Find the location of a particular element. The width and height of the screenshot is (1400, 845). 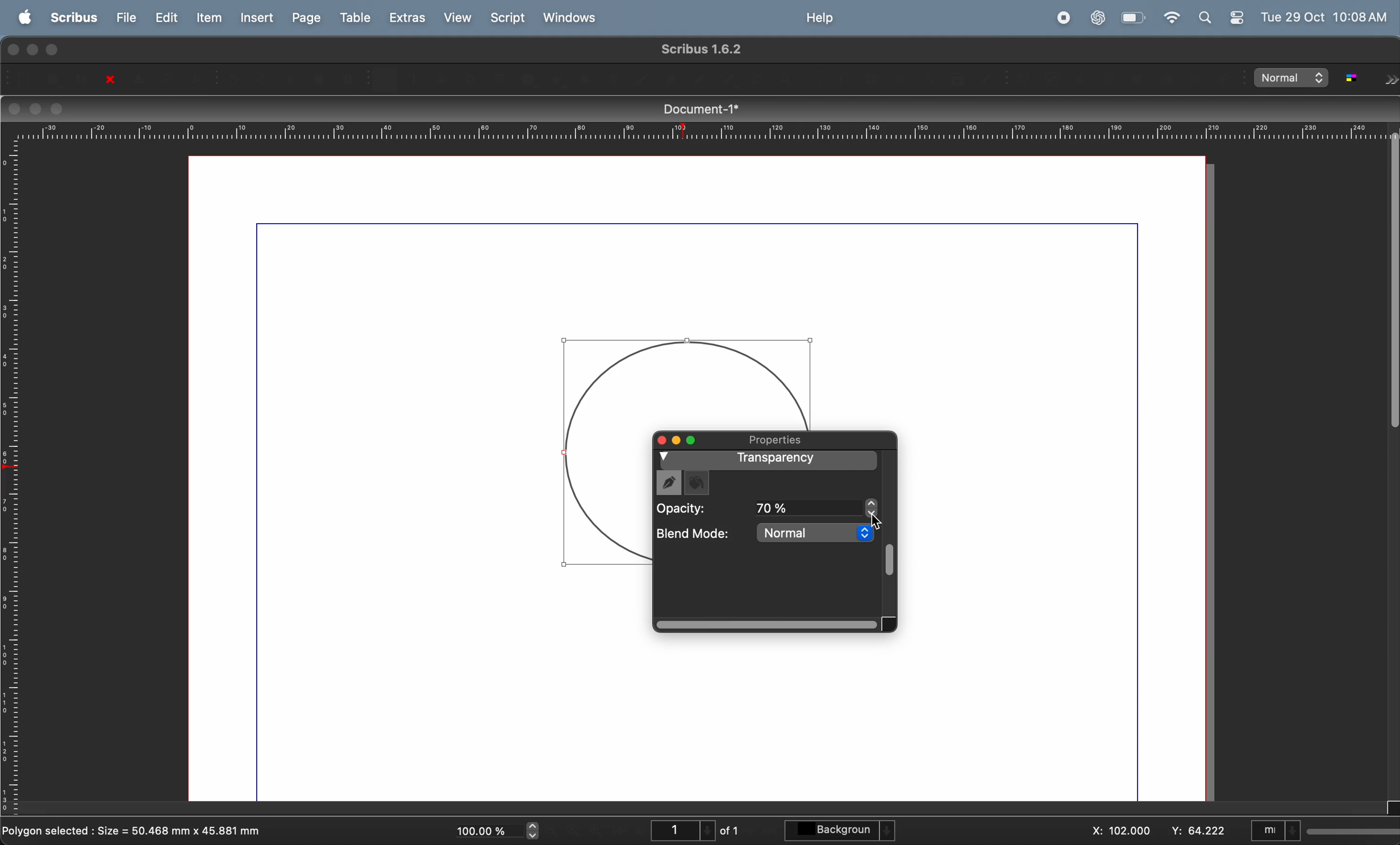

minimize is located at coordinates (676, 440).